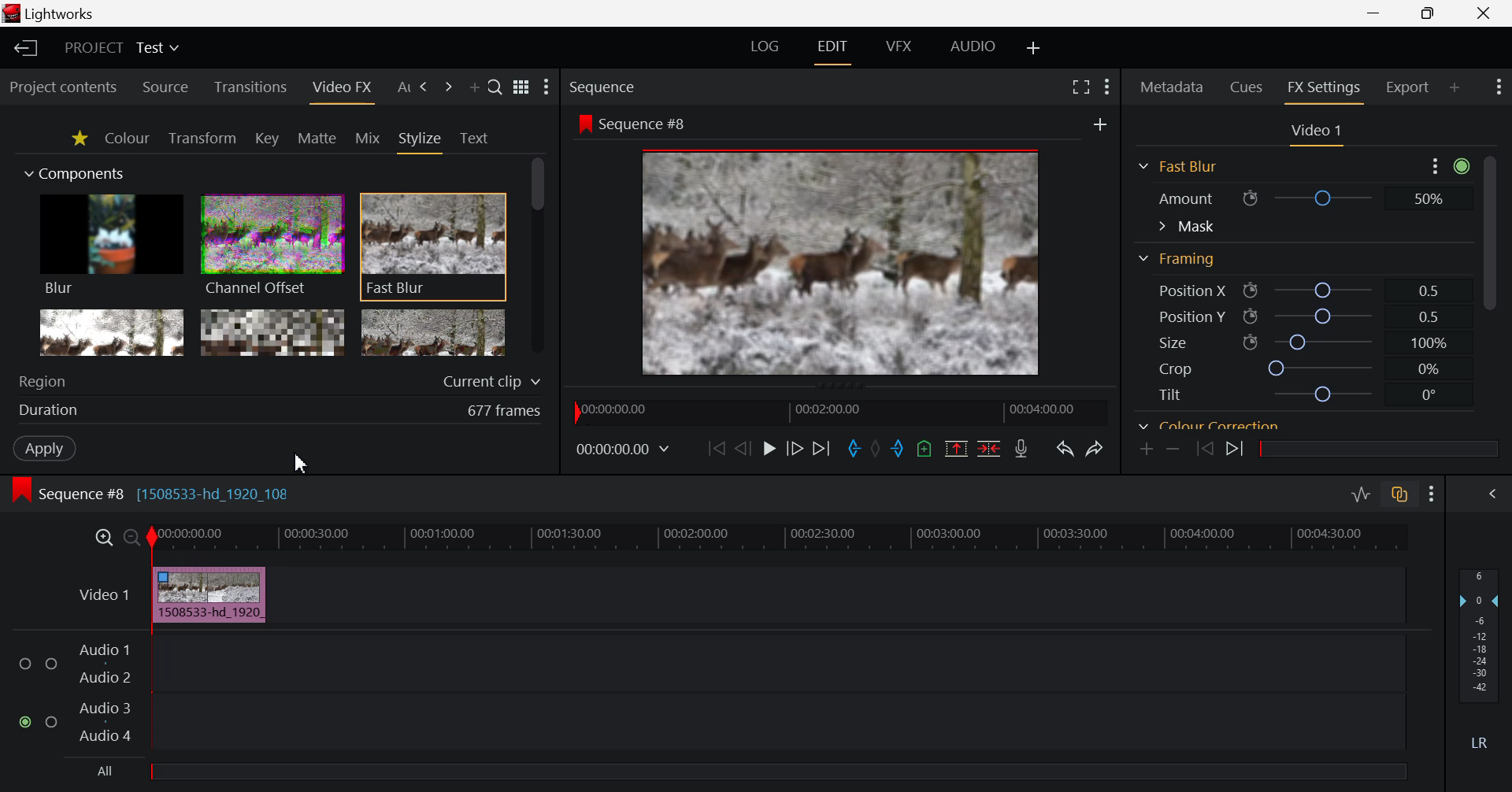 The height and width of the screenshot is (792, 1512). What do you see at coordinates (91, 593) in the screenshot?
I see `Video Layer ` at bounding box center [91, 593].